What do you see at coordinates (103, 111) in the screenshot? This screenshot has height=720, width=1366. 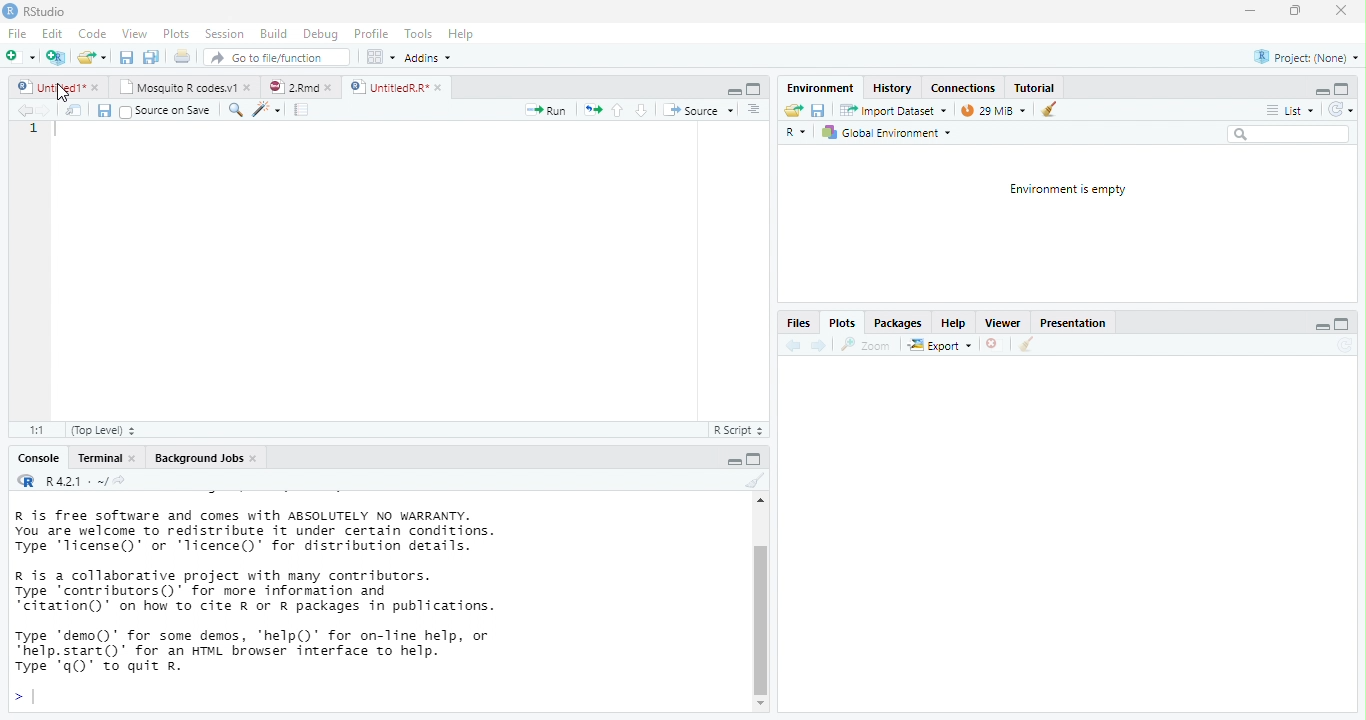 I see `save` at bounding box center [103, 111].